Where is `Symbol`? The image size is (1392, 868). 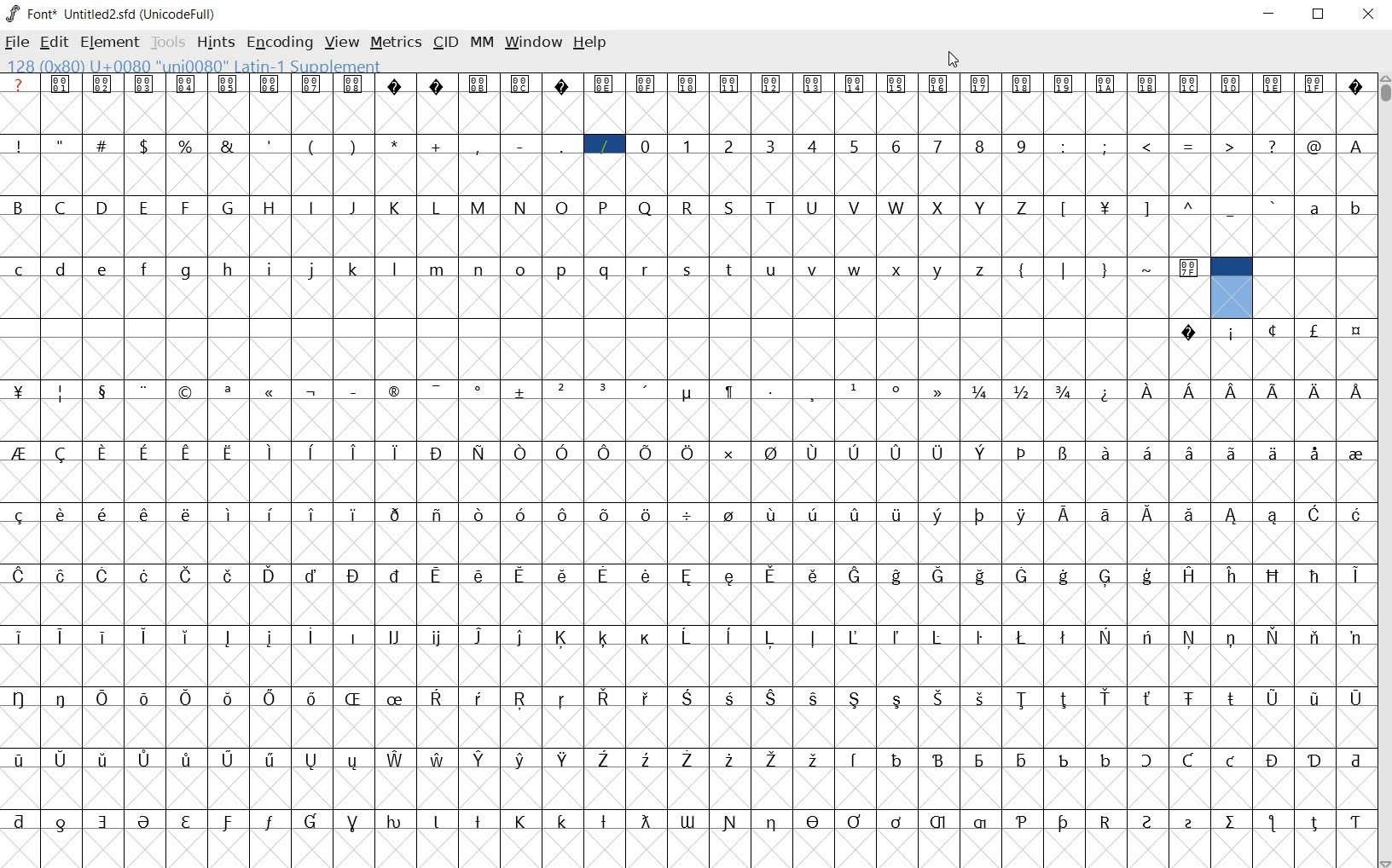 Symbol is located at coordinates (729, 391).